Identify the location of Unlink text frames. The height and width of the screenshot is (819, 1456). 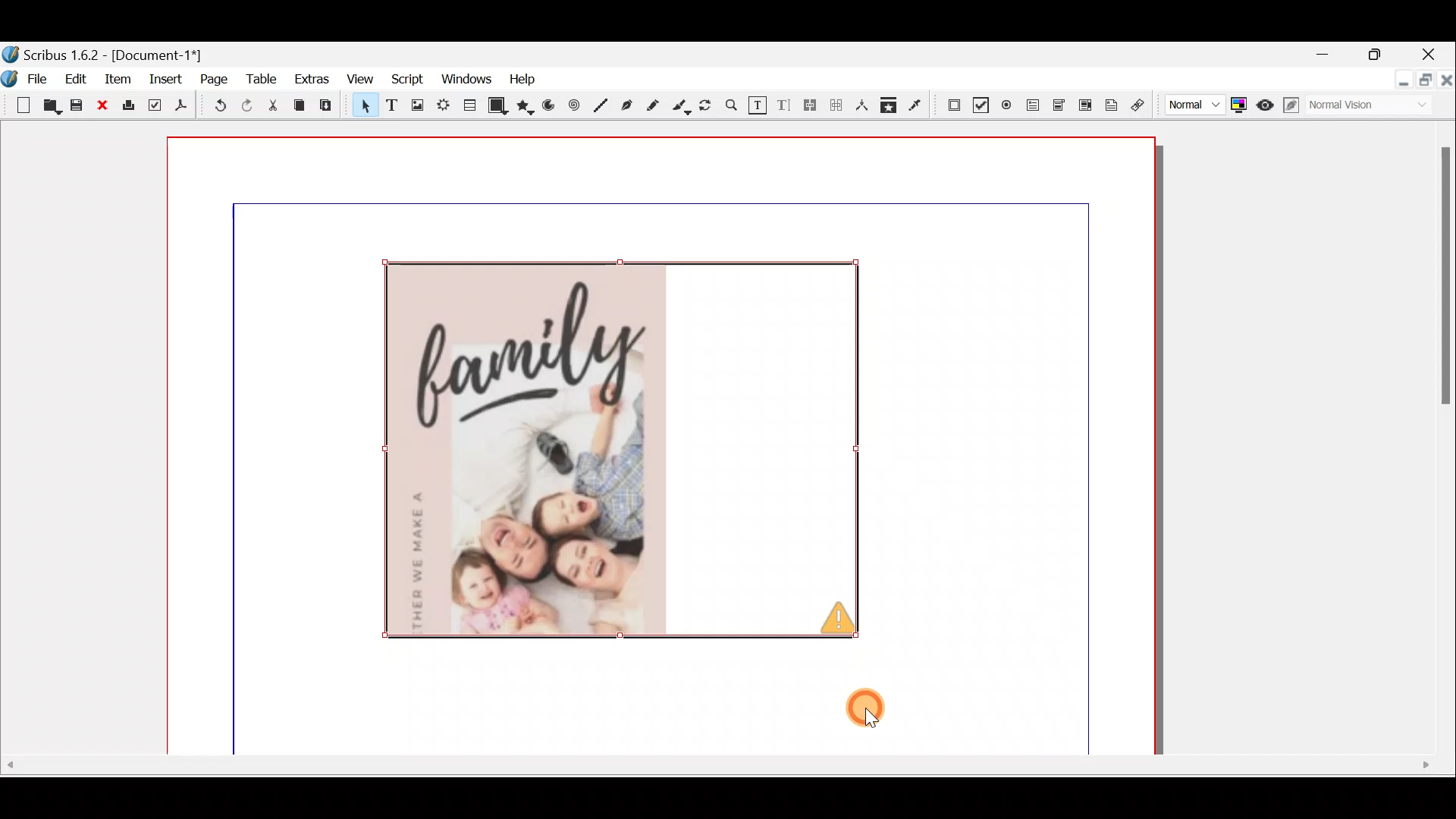
(839, 104).